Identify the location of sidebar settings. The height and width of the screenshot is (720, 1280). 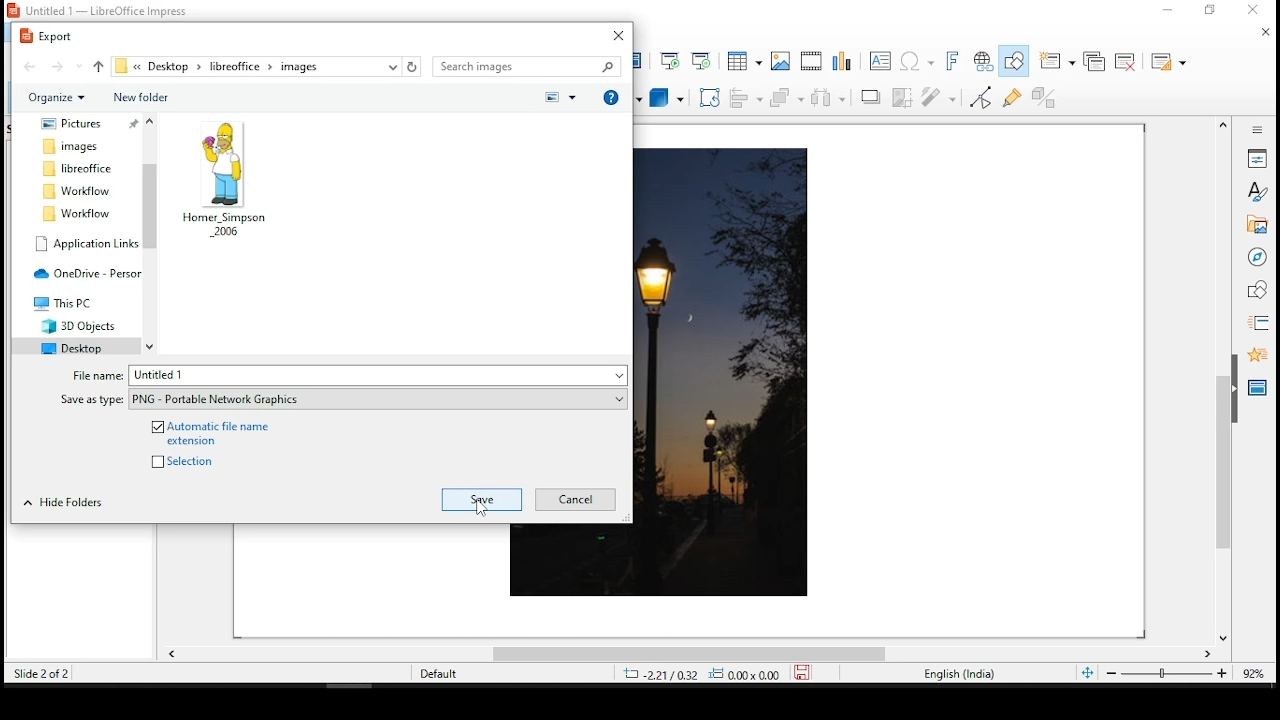
(1253, 130).